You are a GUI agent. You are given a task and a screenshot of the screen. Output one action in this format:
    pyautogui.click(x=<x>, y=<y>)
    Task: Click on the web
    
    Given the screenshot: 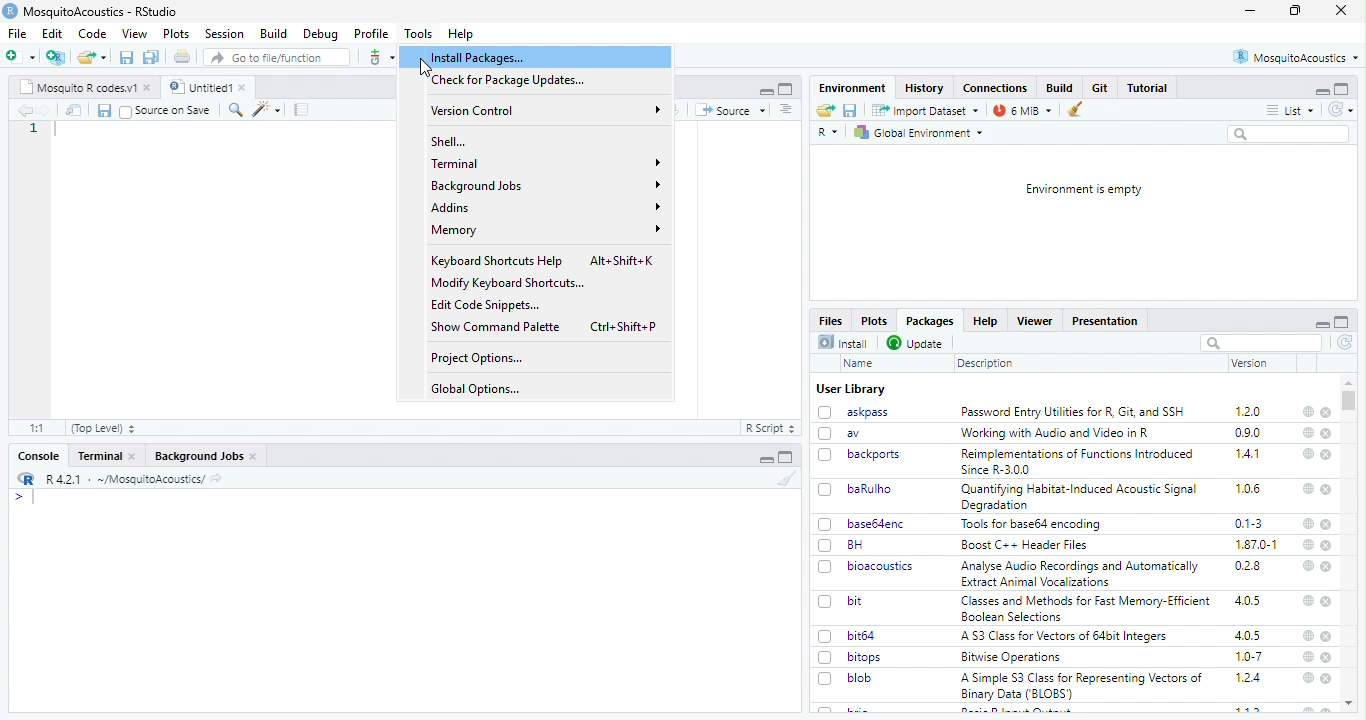 What is the action you would take?
    pyautogui.click(x=1309, y=524)
    